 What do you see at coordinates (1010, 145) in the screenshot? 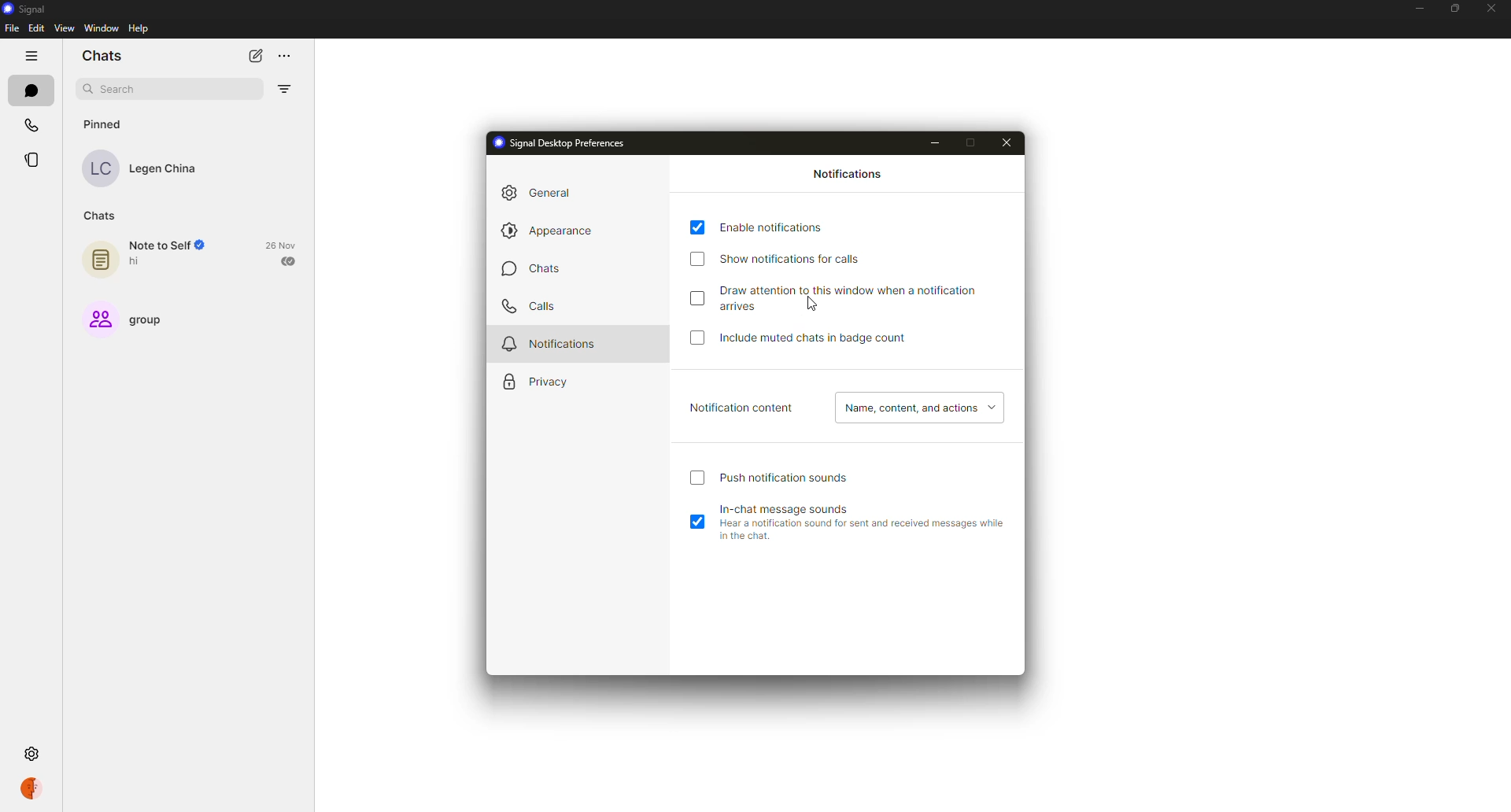
I see `close` at bounding box center [1010, 145].